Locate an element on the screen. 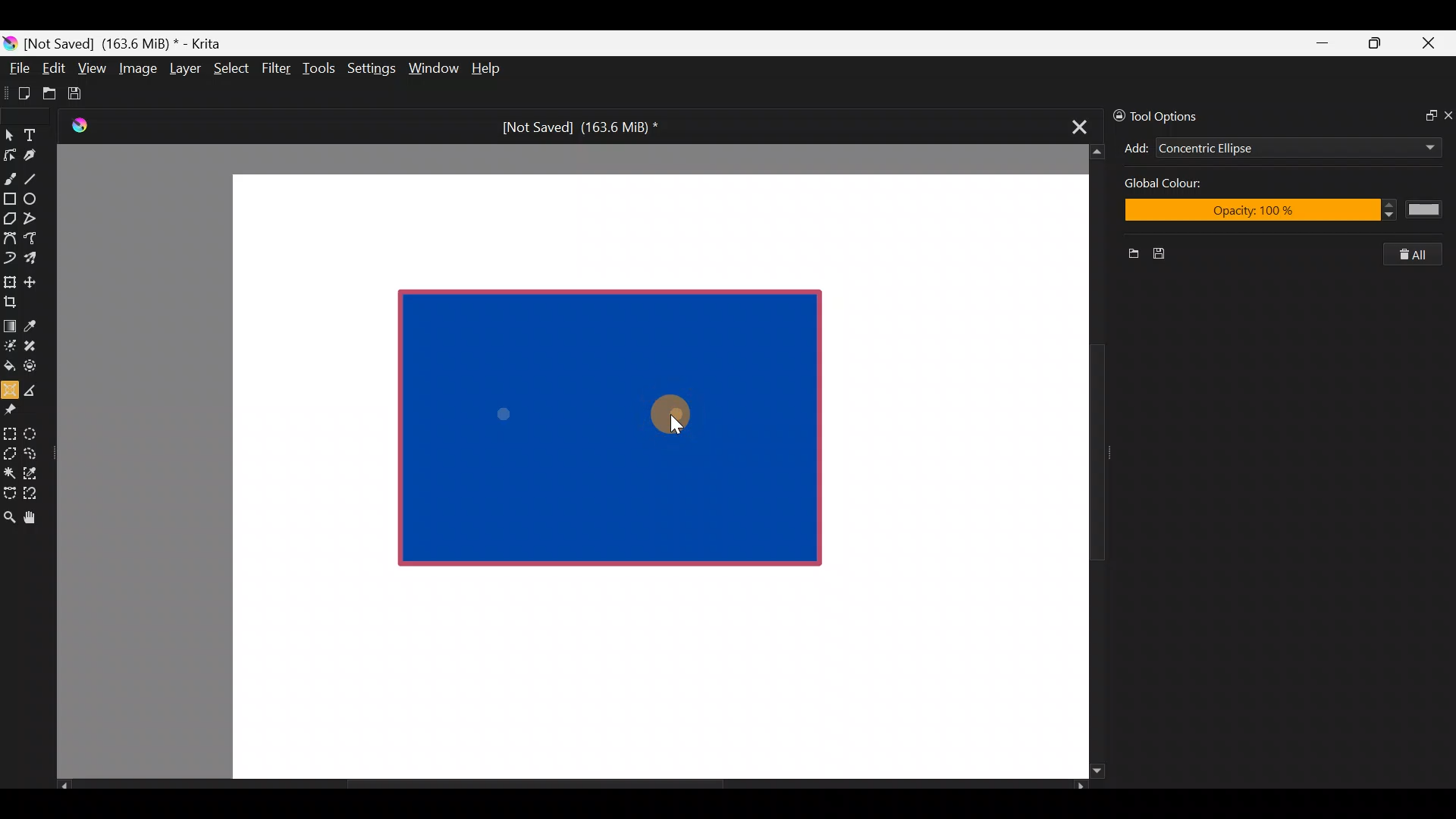  Colourise mask tool is located at coordinates (10, 344).